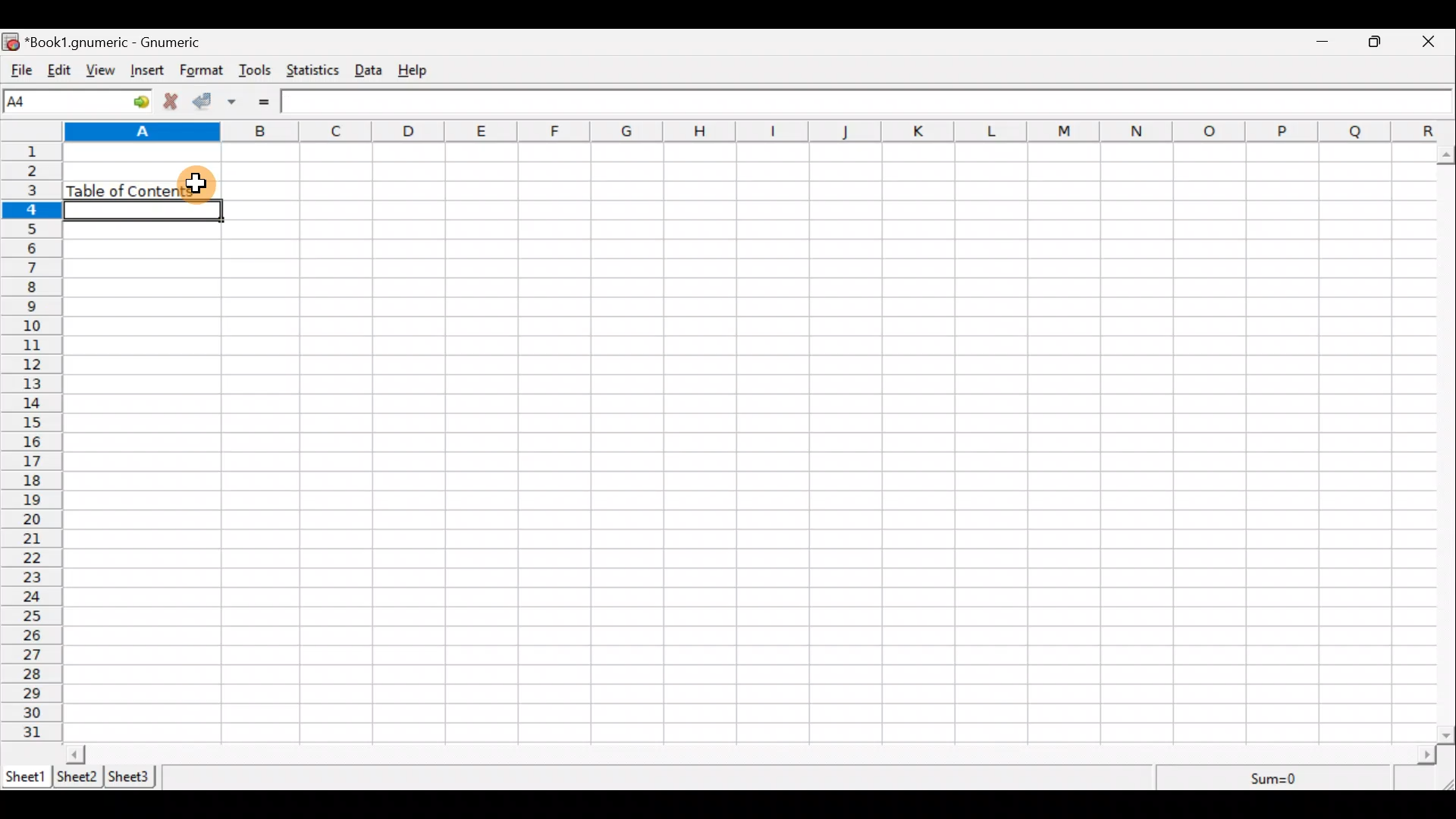 Image resolution: width=1456 pixels, height=819 pixels. I want to click on Insert, so click(149, 72).